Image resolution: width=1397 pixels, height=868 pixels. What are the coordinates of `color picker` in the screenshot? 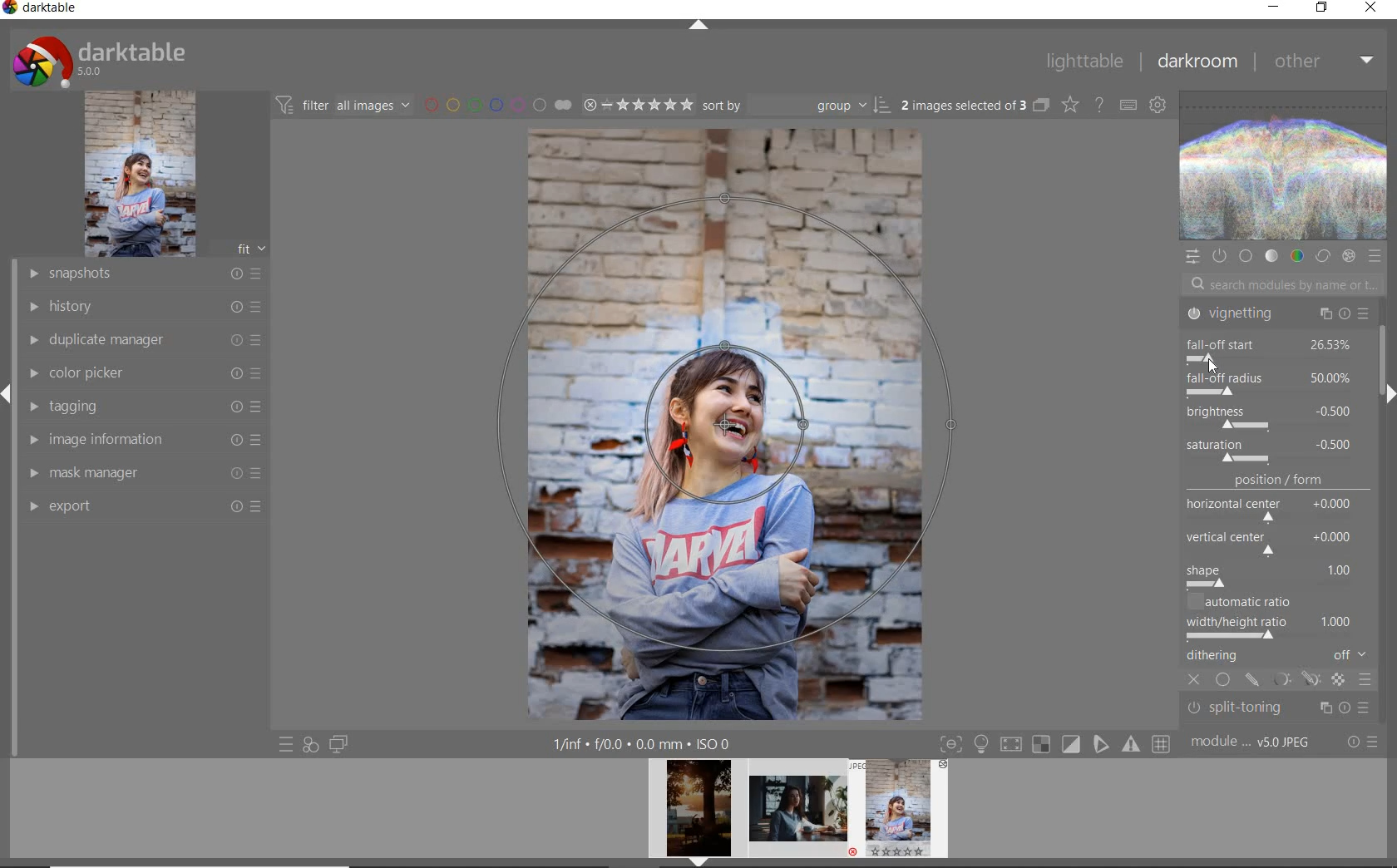 It's located at (143, 373).